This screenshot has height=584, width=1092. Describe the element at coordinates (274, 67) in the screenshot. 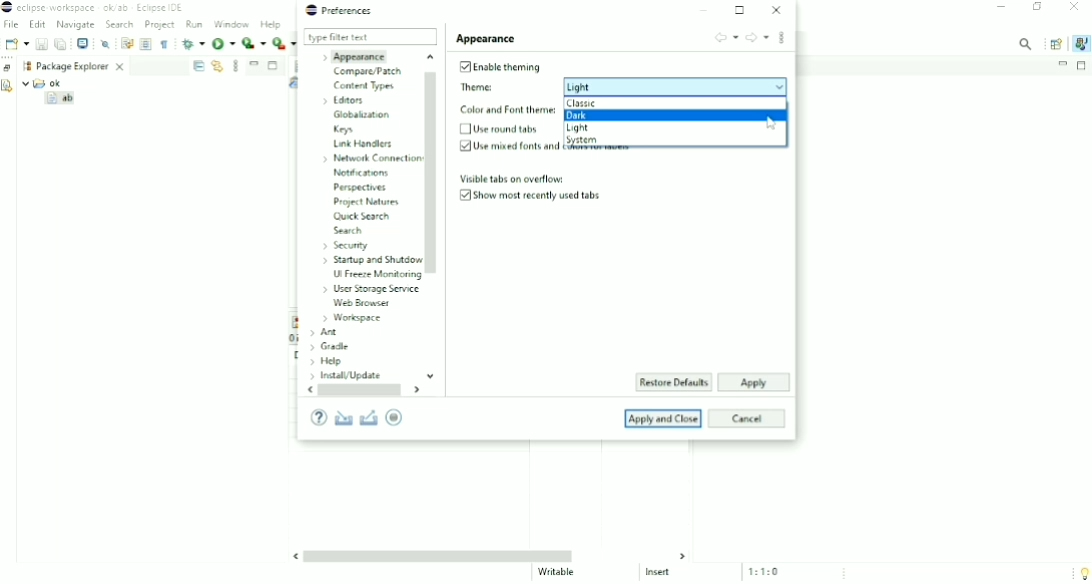

I see `Maximize` at that location.